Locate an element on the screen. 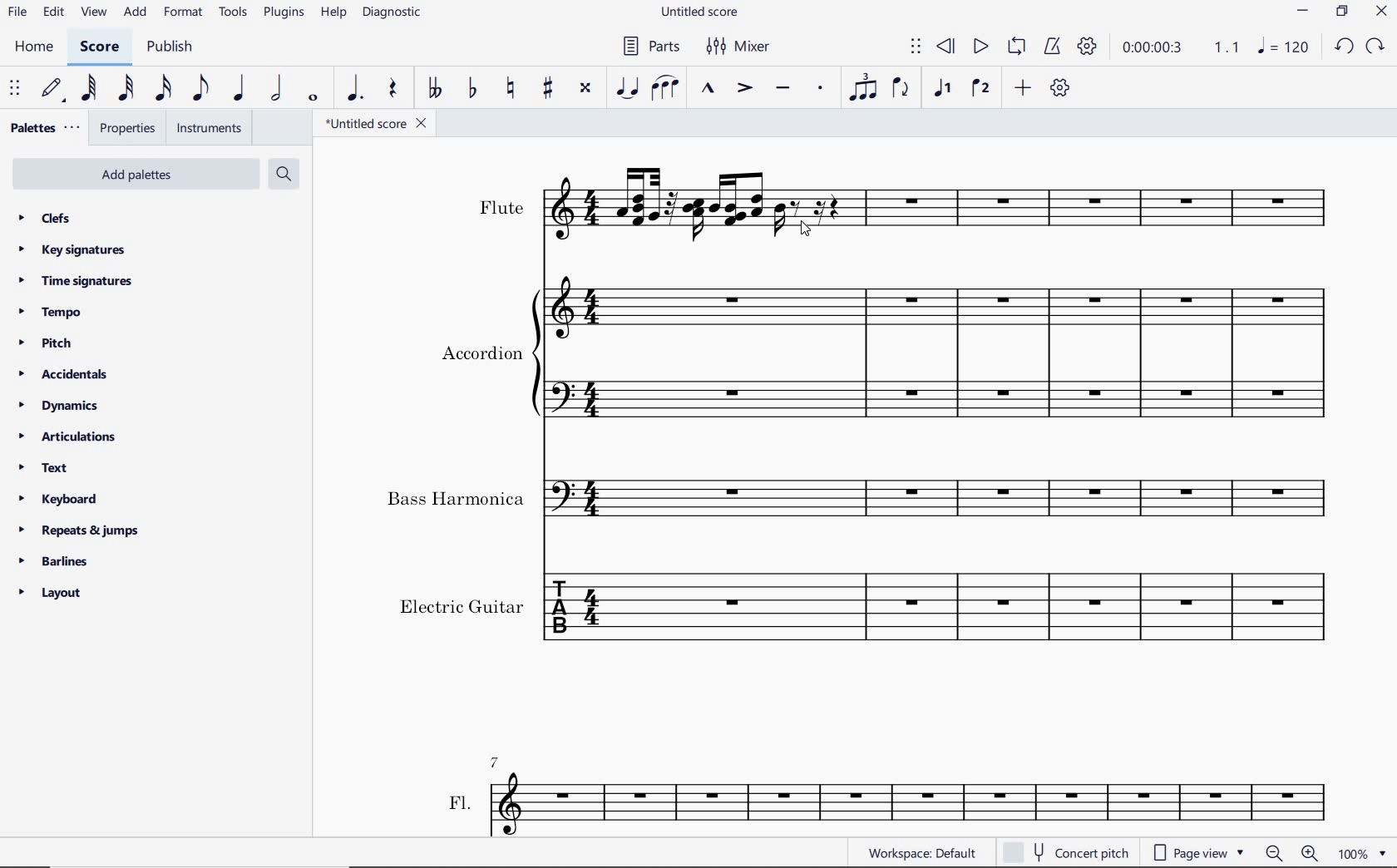 The width and height of the screenshot is (1397, 868). layout is located at coordinates (53, 595).